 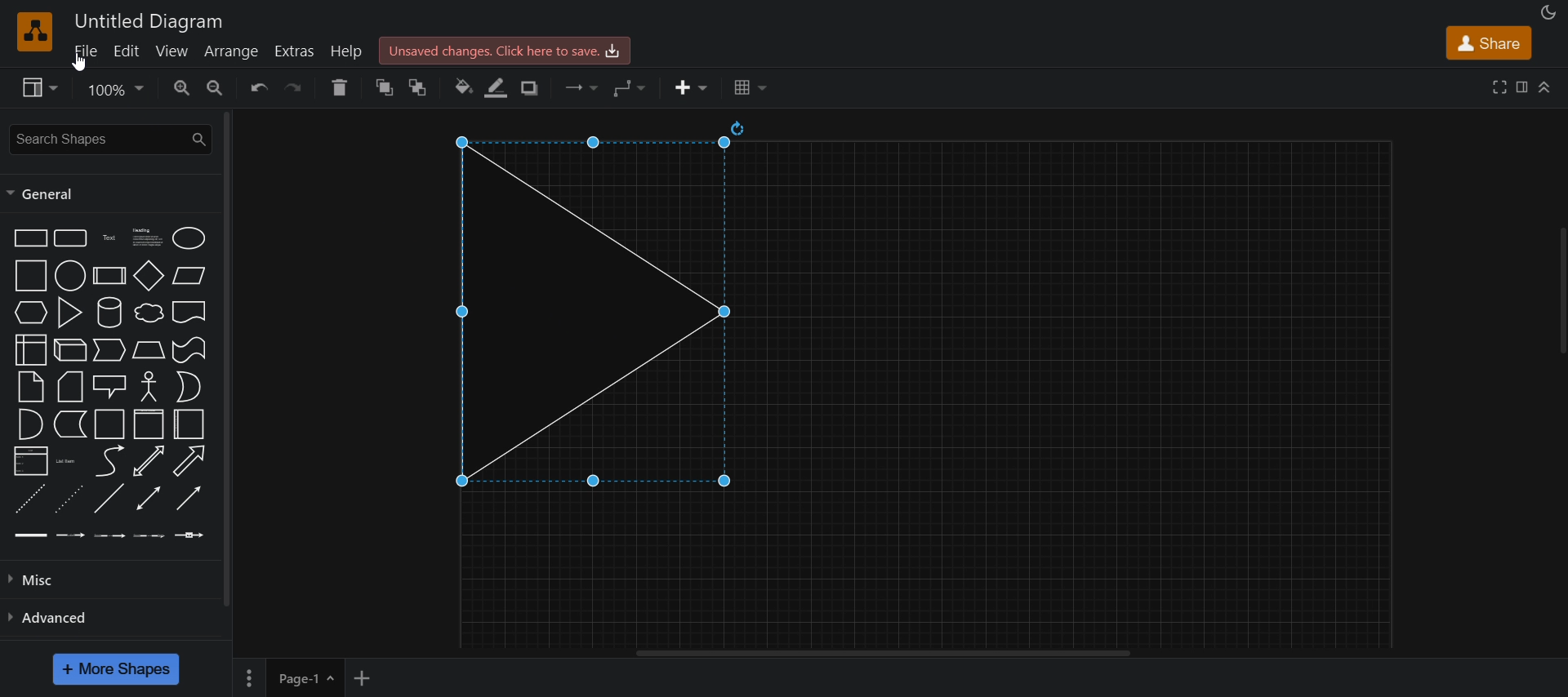 I want to click on dashed line, so click(x=30, y=498).